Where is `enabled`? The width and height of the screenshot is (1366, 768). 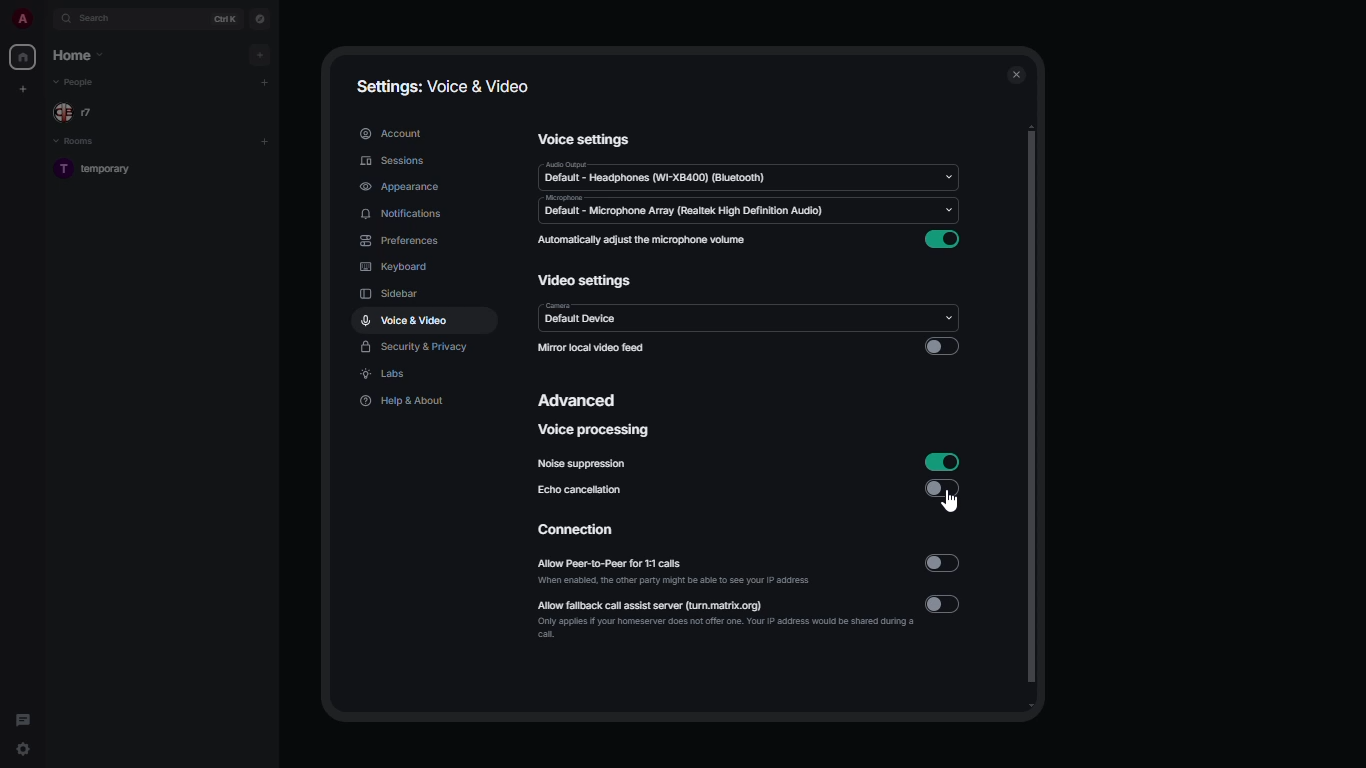
enabled is located at coordinates (942, 462).